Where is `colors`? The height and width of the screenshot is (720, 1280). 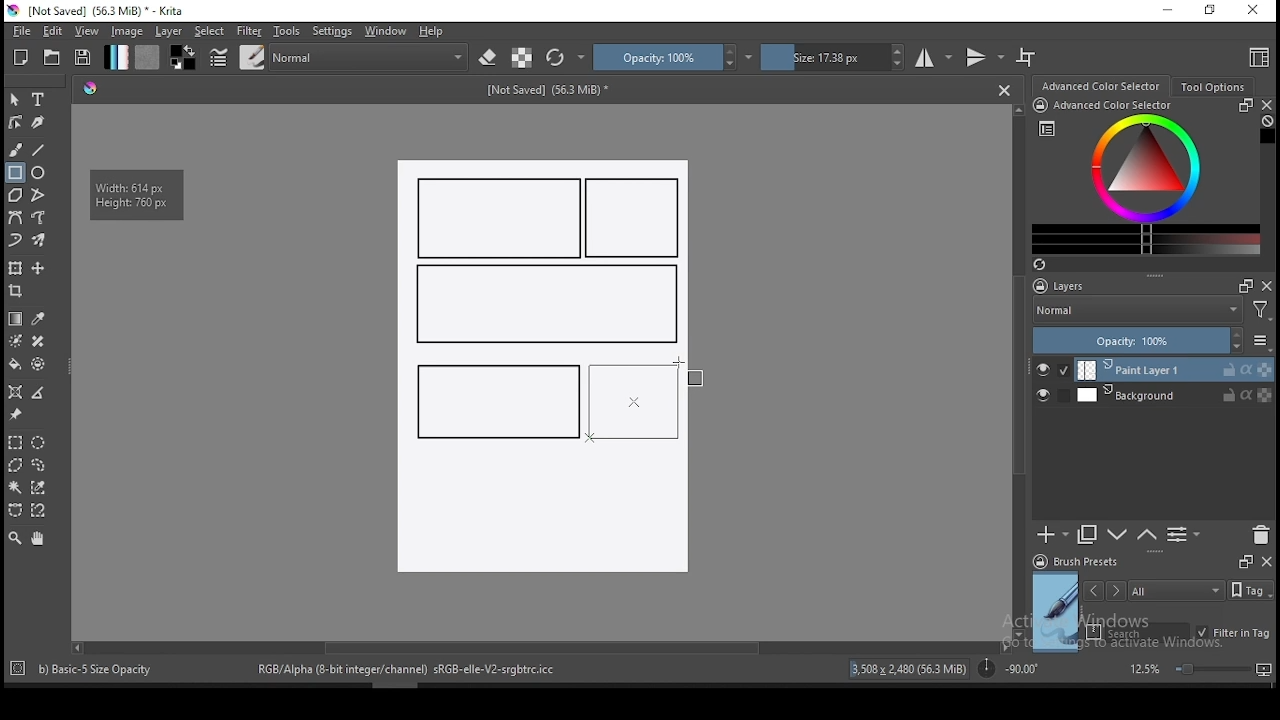
colors is located at coordinates (183, 57).